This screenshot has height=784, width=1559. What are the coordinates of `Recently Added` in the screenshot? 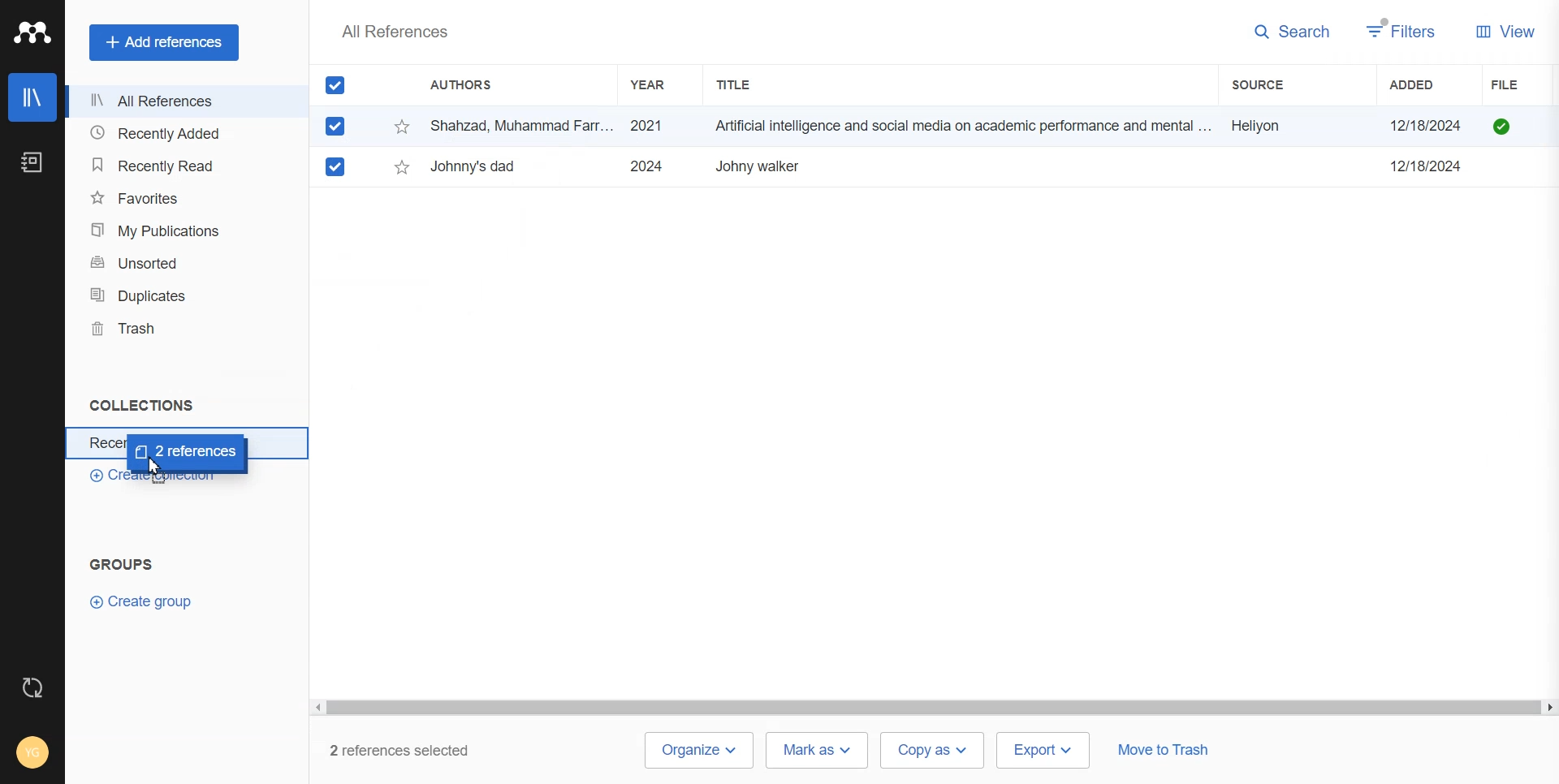 It's located at (181, 134).